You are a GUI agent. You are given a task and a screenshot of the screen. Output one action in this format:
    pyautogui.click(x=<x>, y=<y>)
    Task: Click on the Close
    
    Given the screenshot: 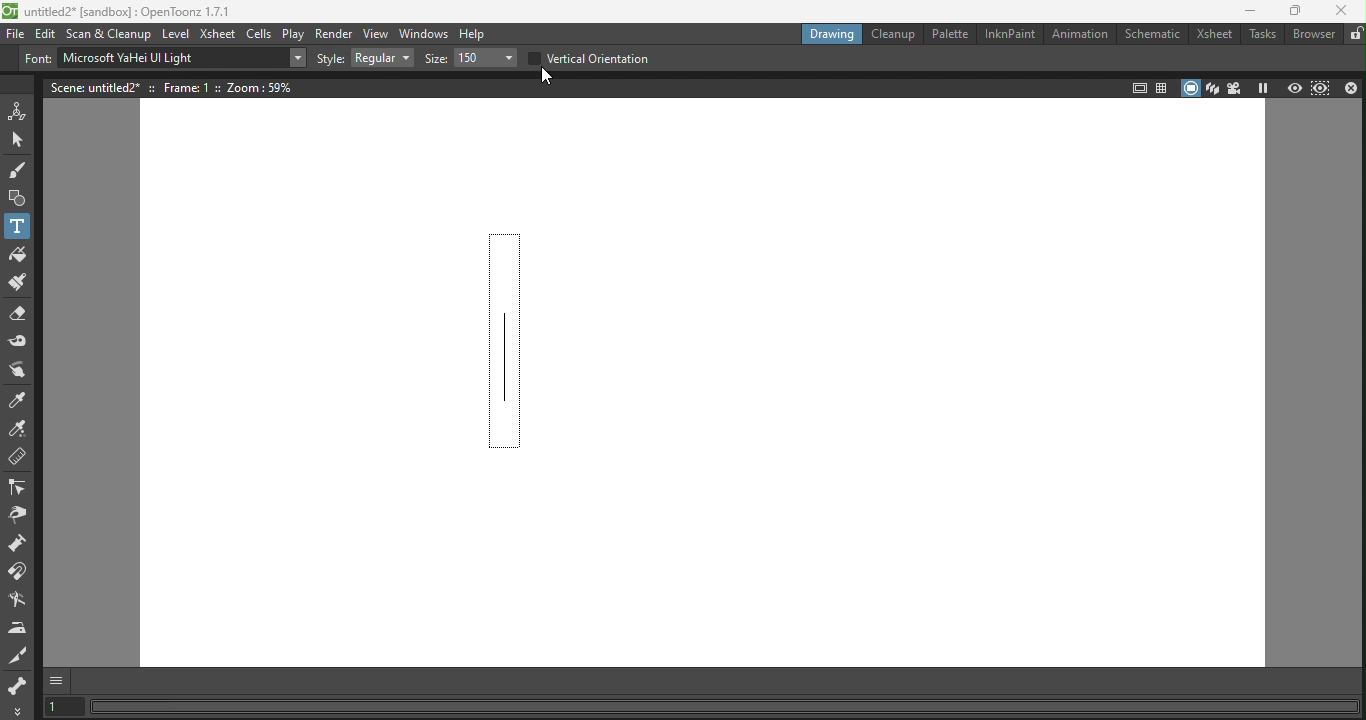 What is the action you would take?
    pyautogui.click(x=1344, y=11)
    